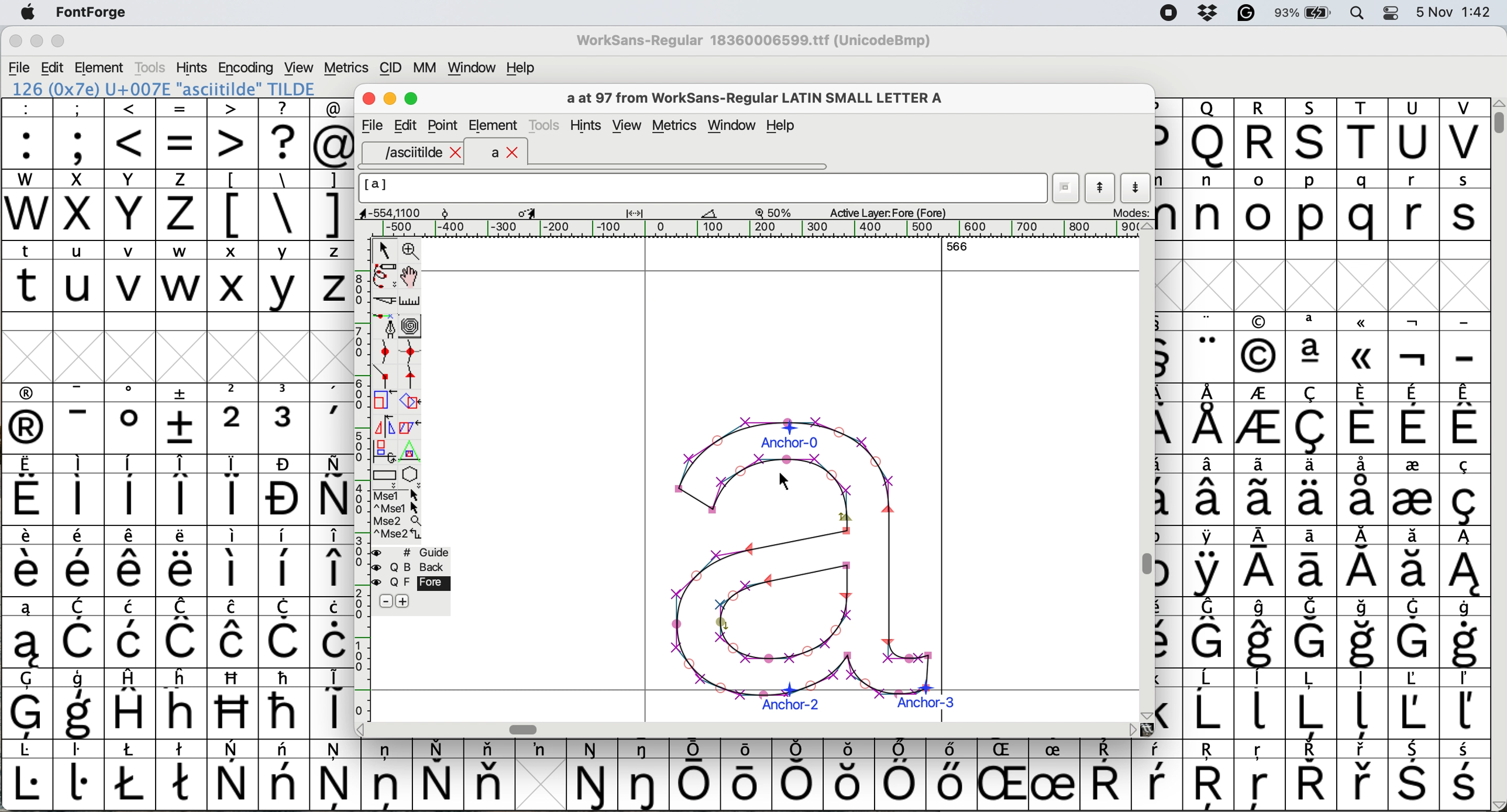 This screenshot has height=812, width=1507. What do you see at coordinates (20, 68) in the screenshot?
I see `file` at bounding box center [20, 68].